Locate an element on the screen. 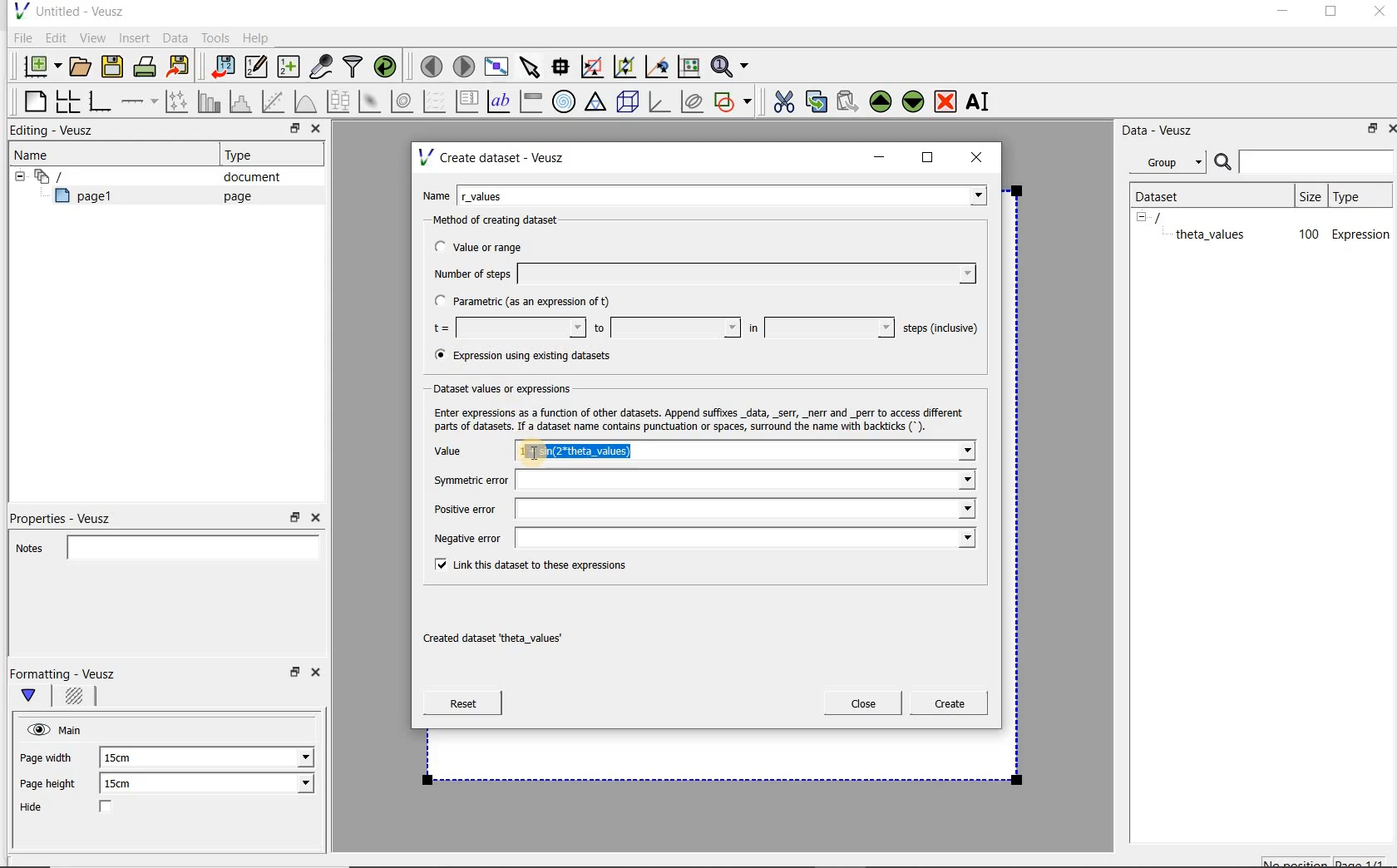 The height and width of the screenshot is (868, 1397). click to recenter graph axes is located at coordinates (658, 67).